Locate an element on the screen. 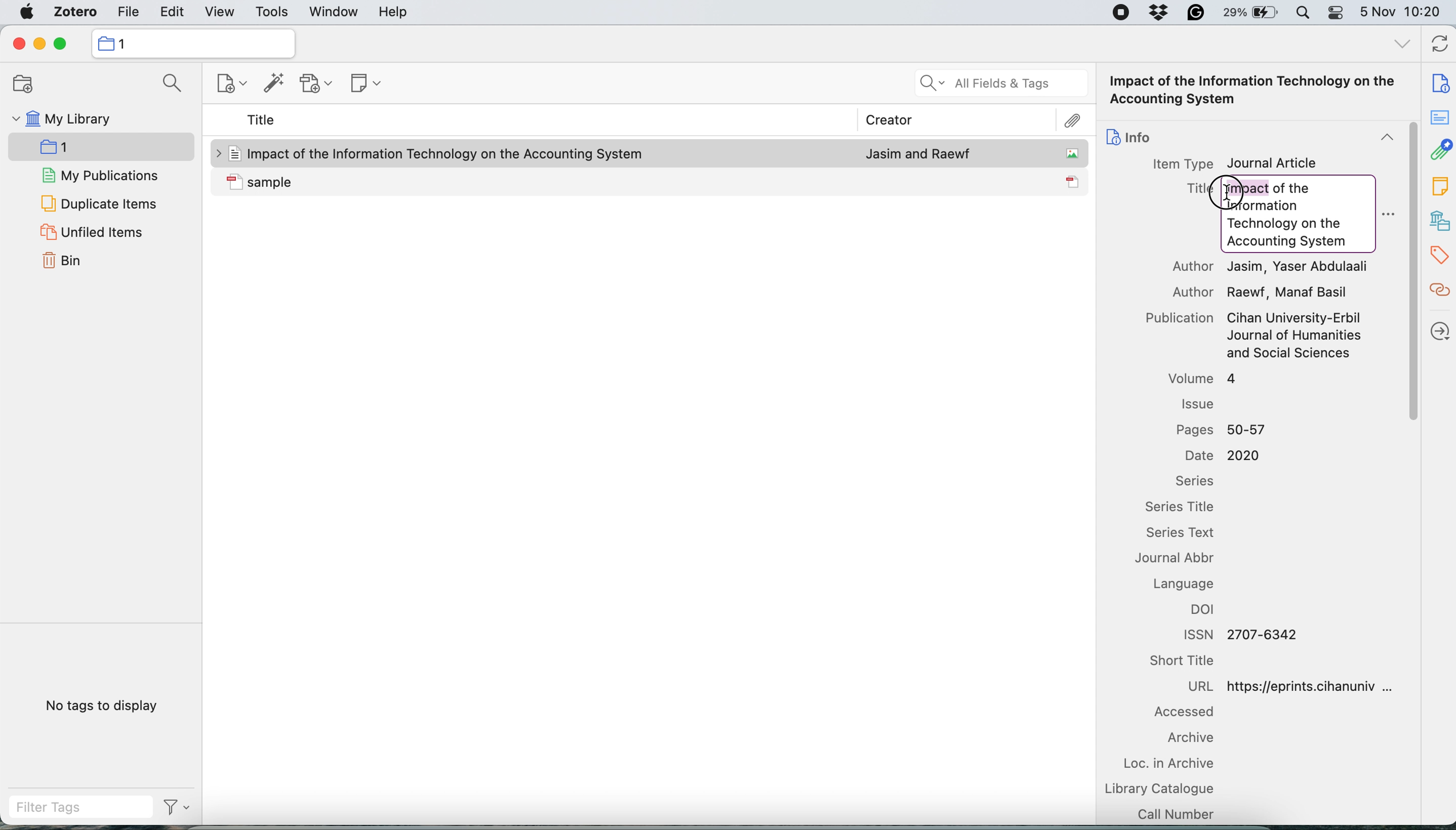  my library is located at coordinates (63, 117).